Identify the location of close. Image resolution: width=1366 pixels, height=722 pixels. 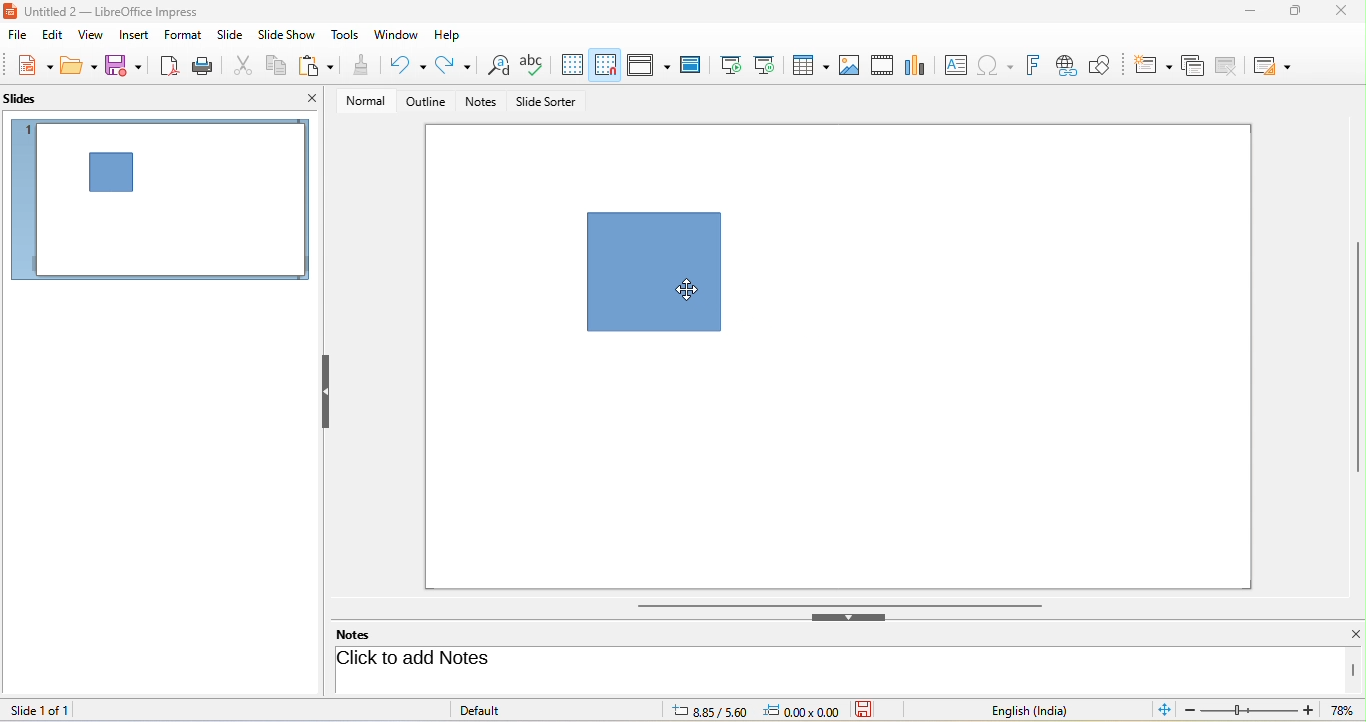
(1344, 635).